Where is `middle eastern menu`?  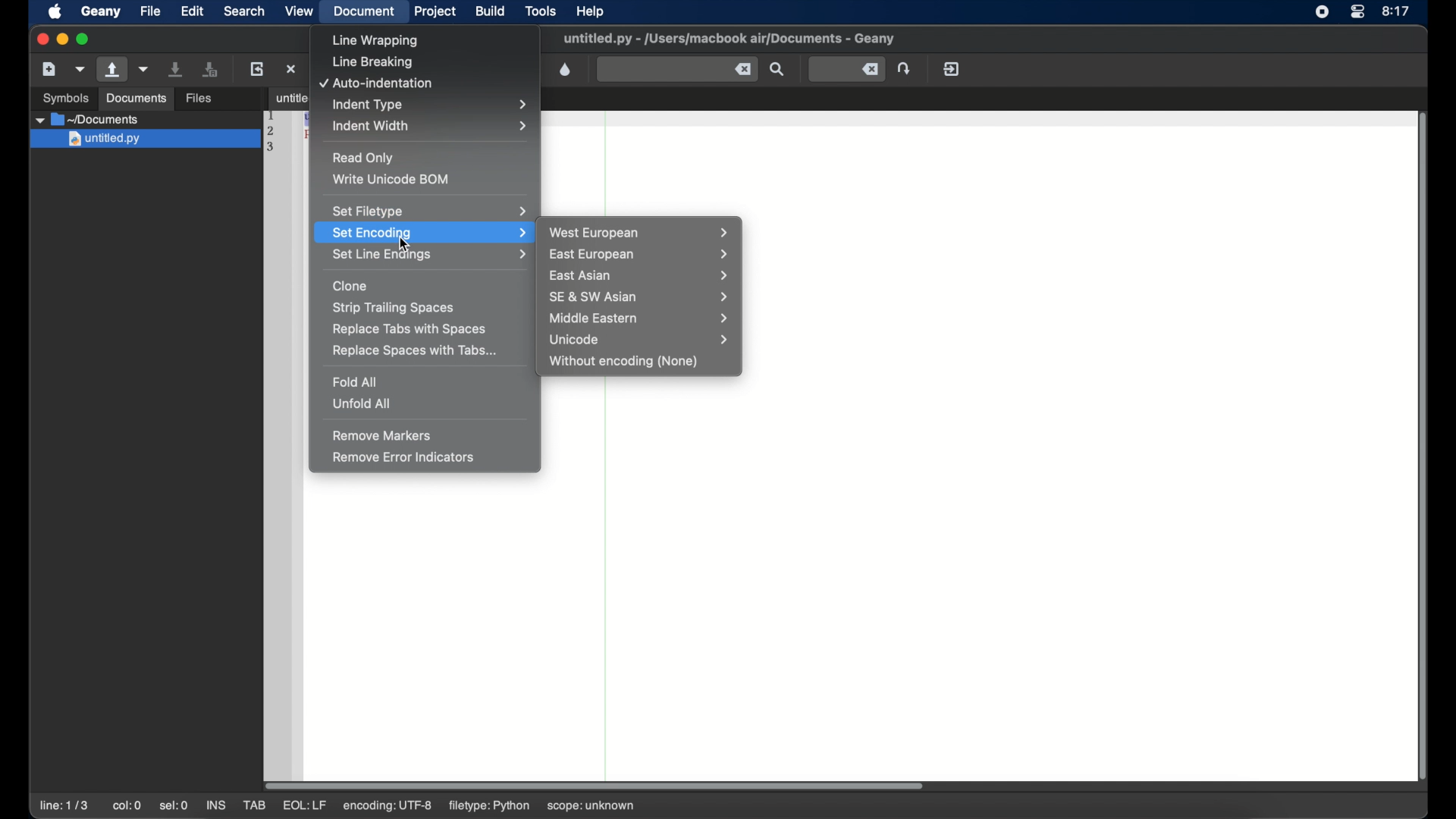 middle eastern menu is located at coordinates (642, 318).